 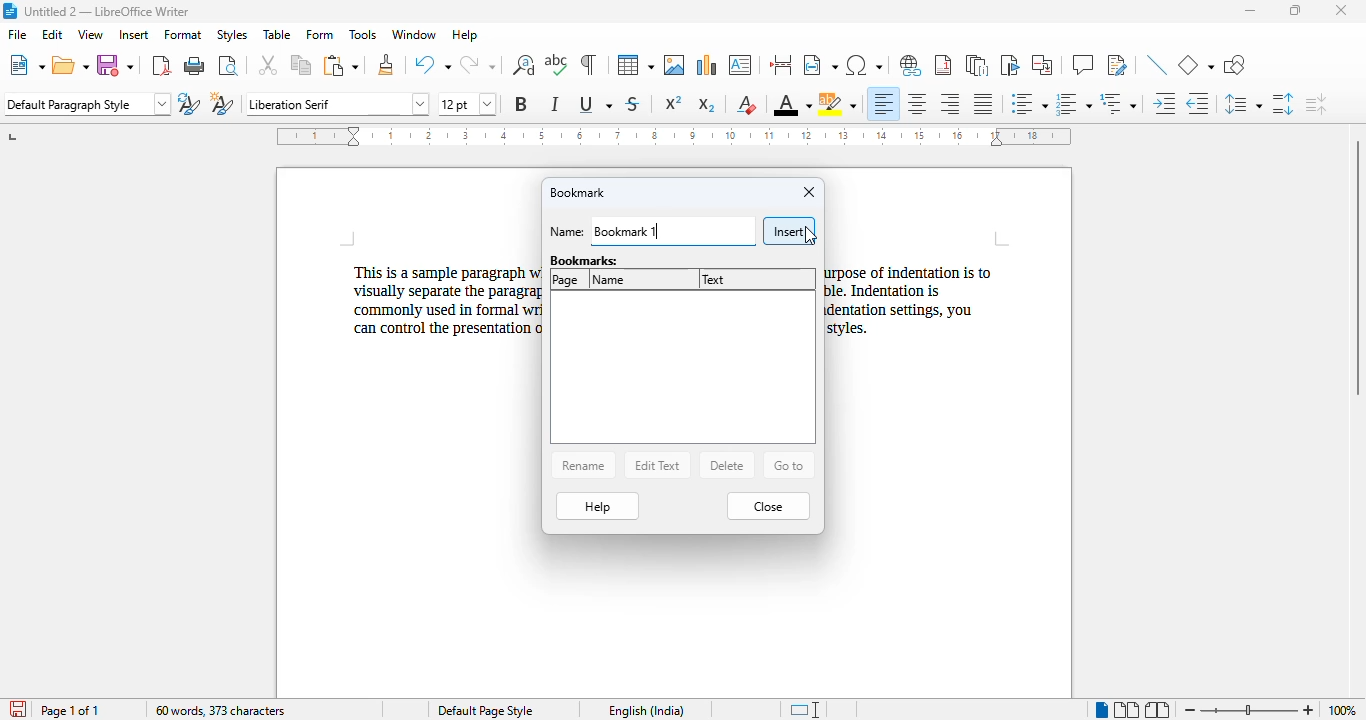 I want to click on insert image, so click(x=674, y=65).